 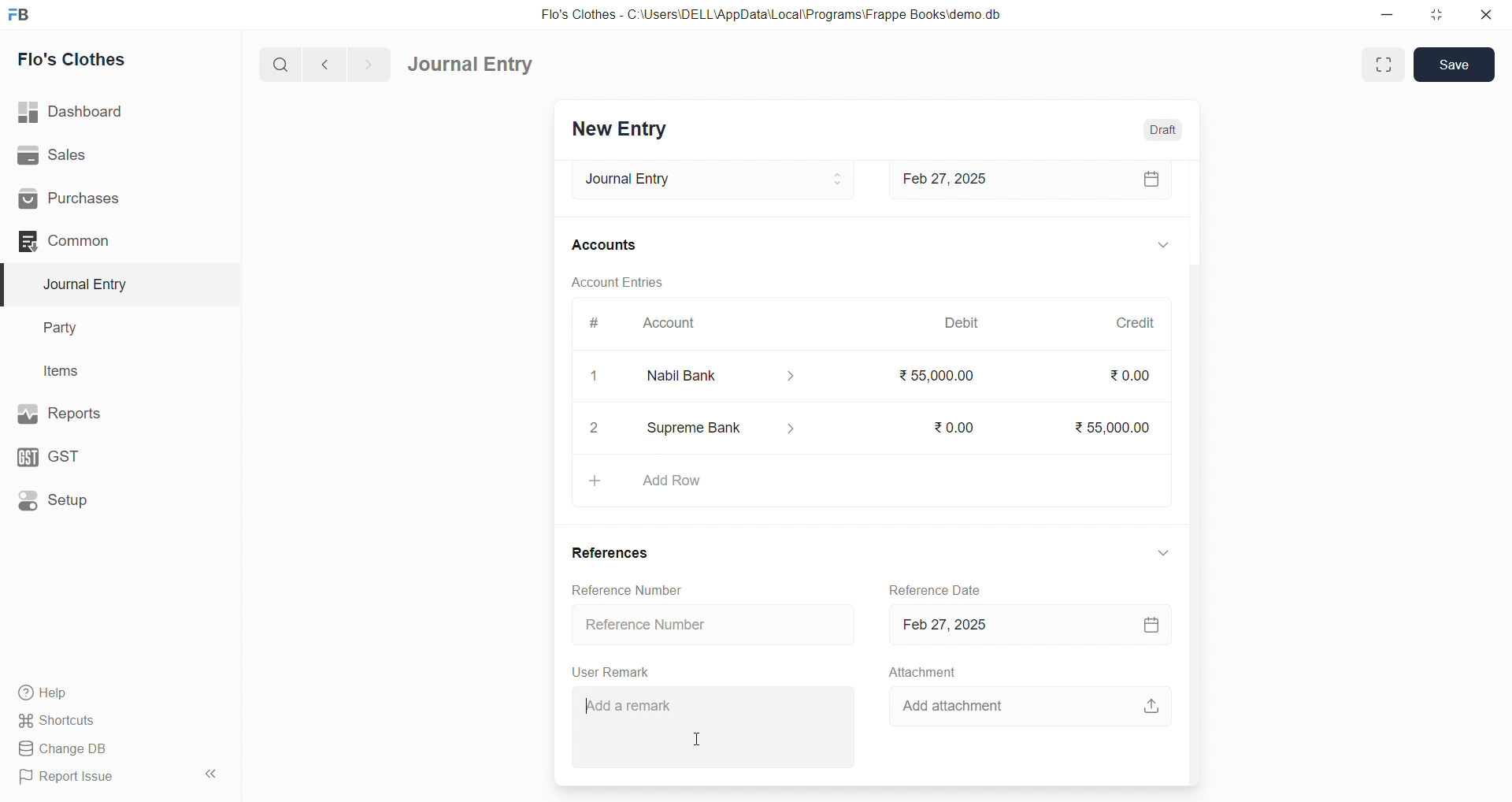 What do you see at coordinates (1025, 625) in the screenshot?
I see `Feb 27, 2025` at bounding box center [1025, 625].